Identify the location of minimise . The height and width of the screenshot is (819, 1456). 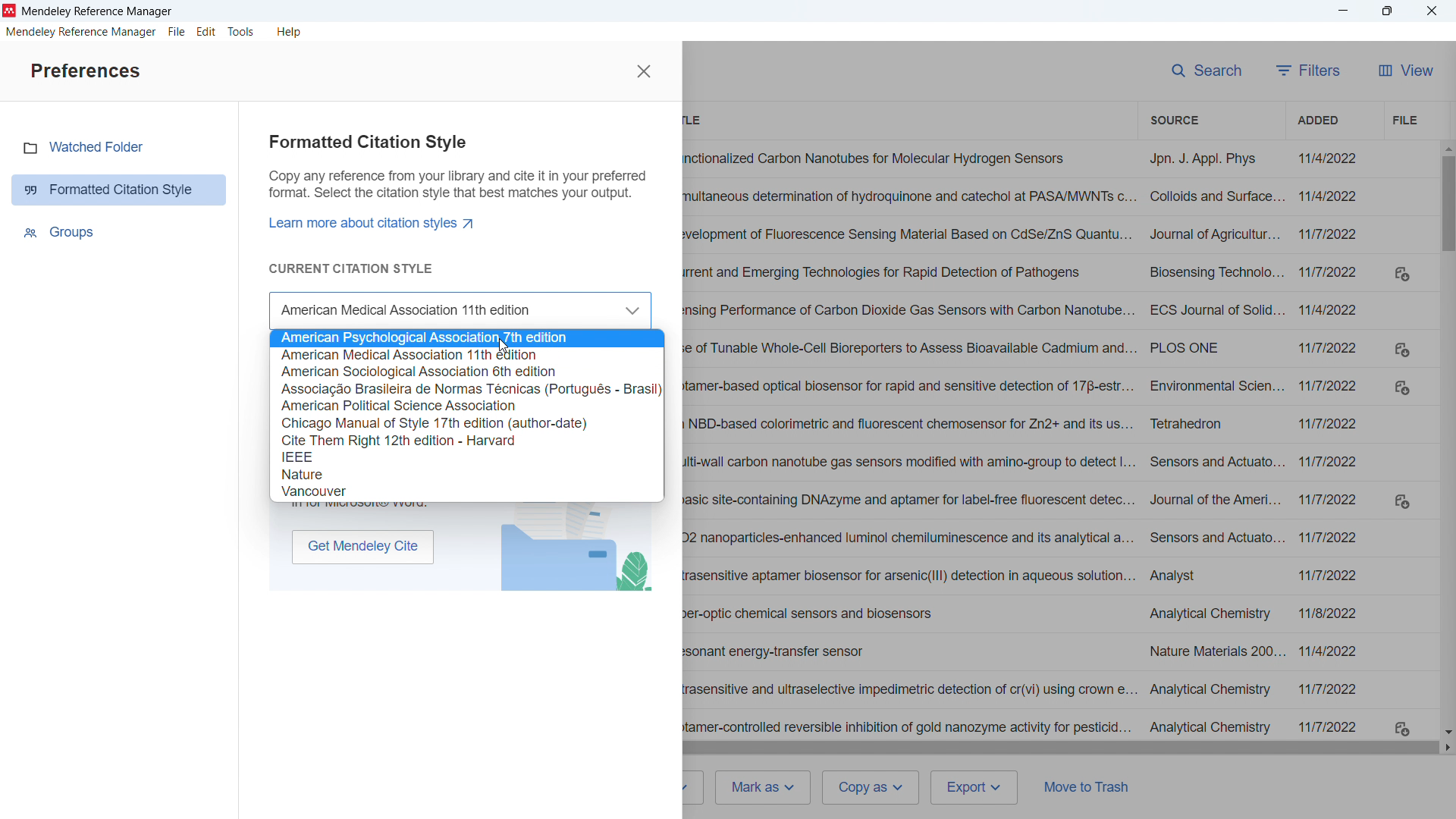
(1344, 11).